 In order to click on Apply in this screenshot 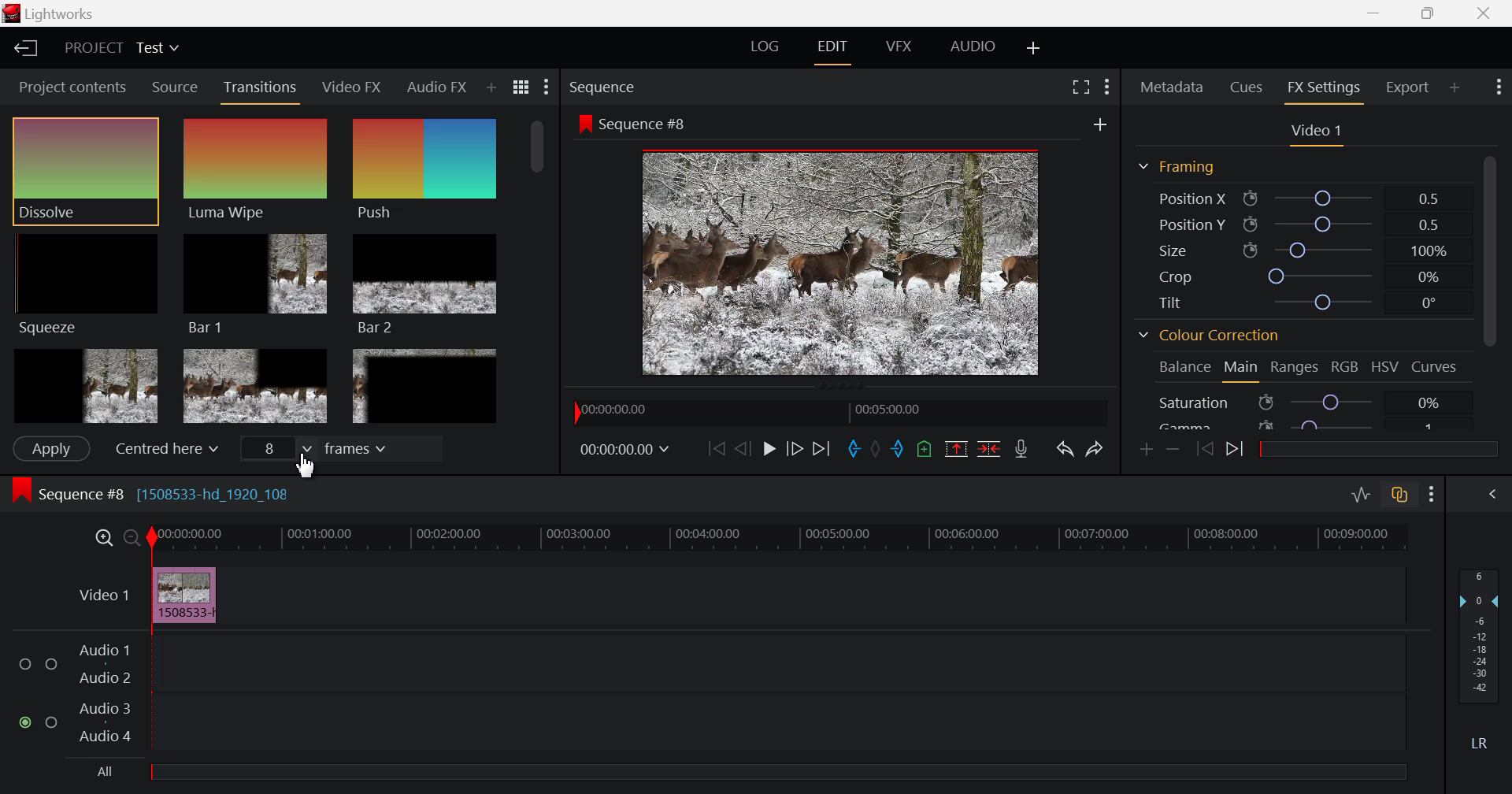, I will do `click(49, 450)`.